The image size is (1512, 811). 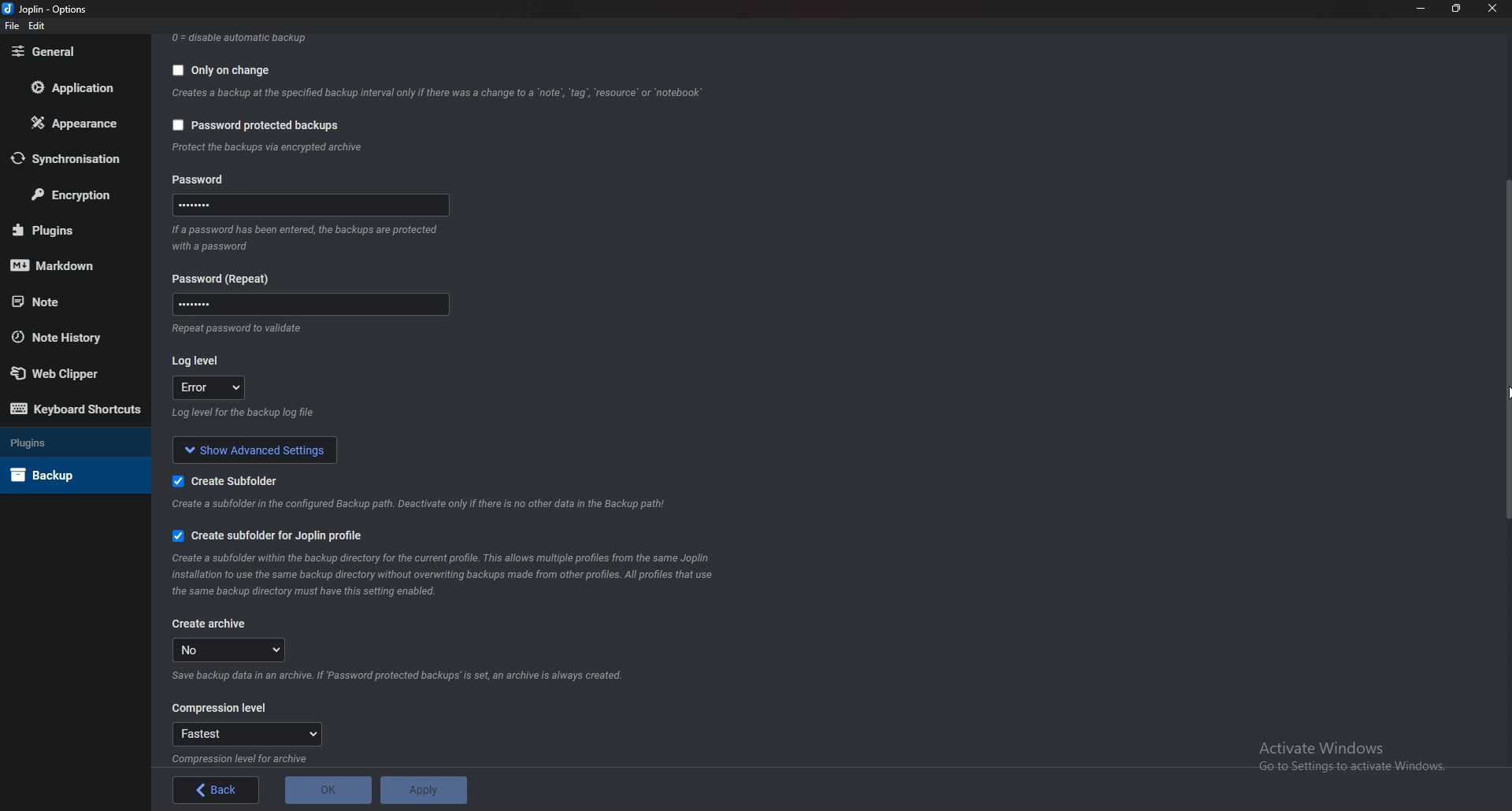 What do you see at coordinates (246, 757) in the screenshot?
I see `Info` at bounding box center [246, 757].